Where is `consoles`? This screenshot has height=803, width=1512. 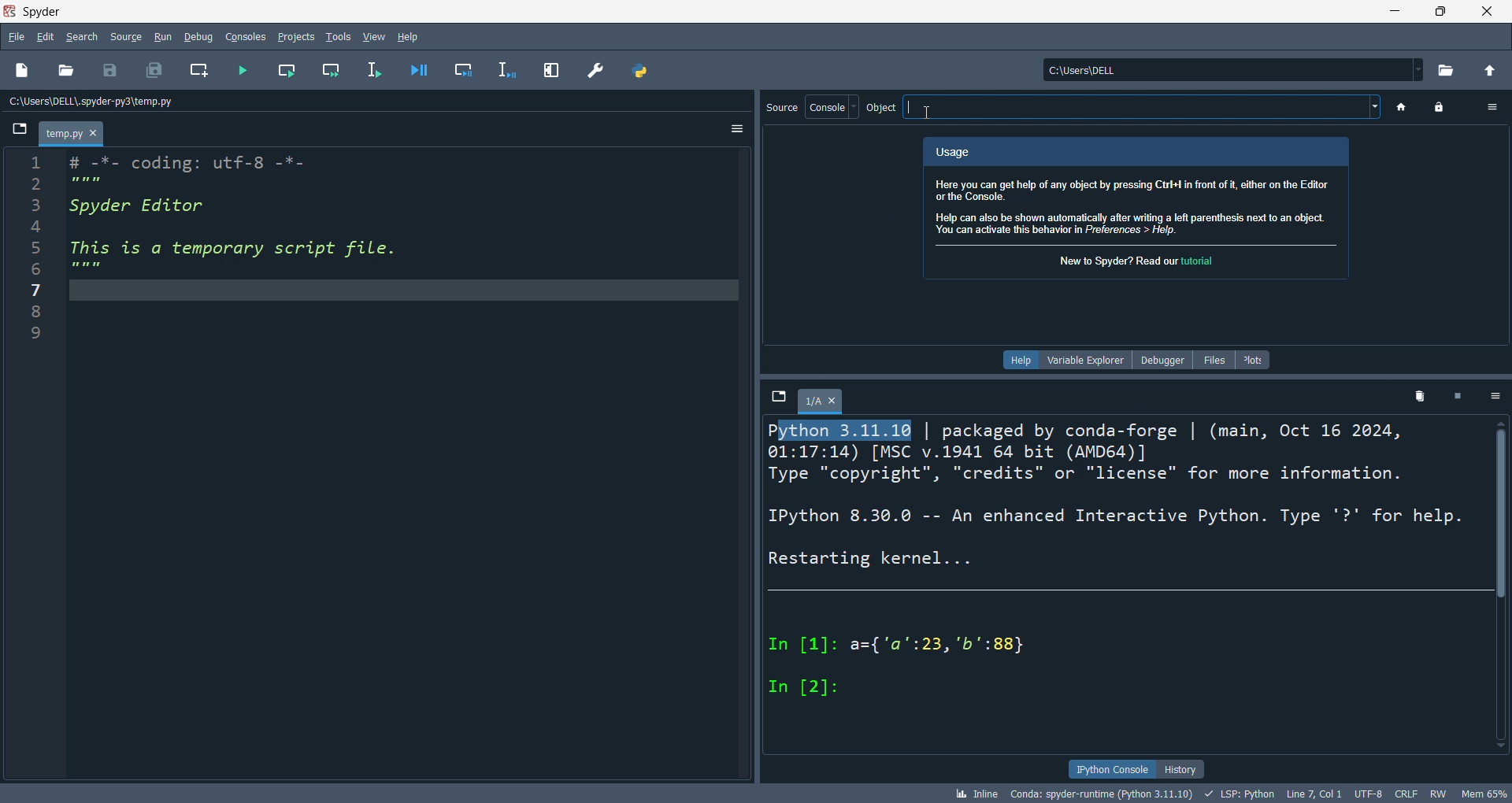
consoles is located at coordinates (245, 36).